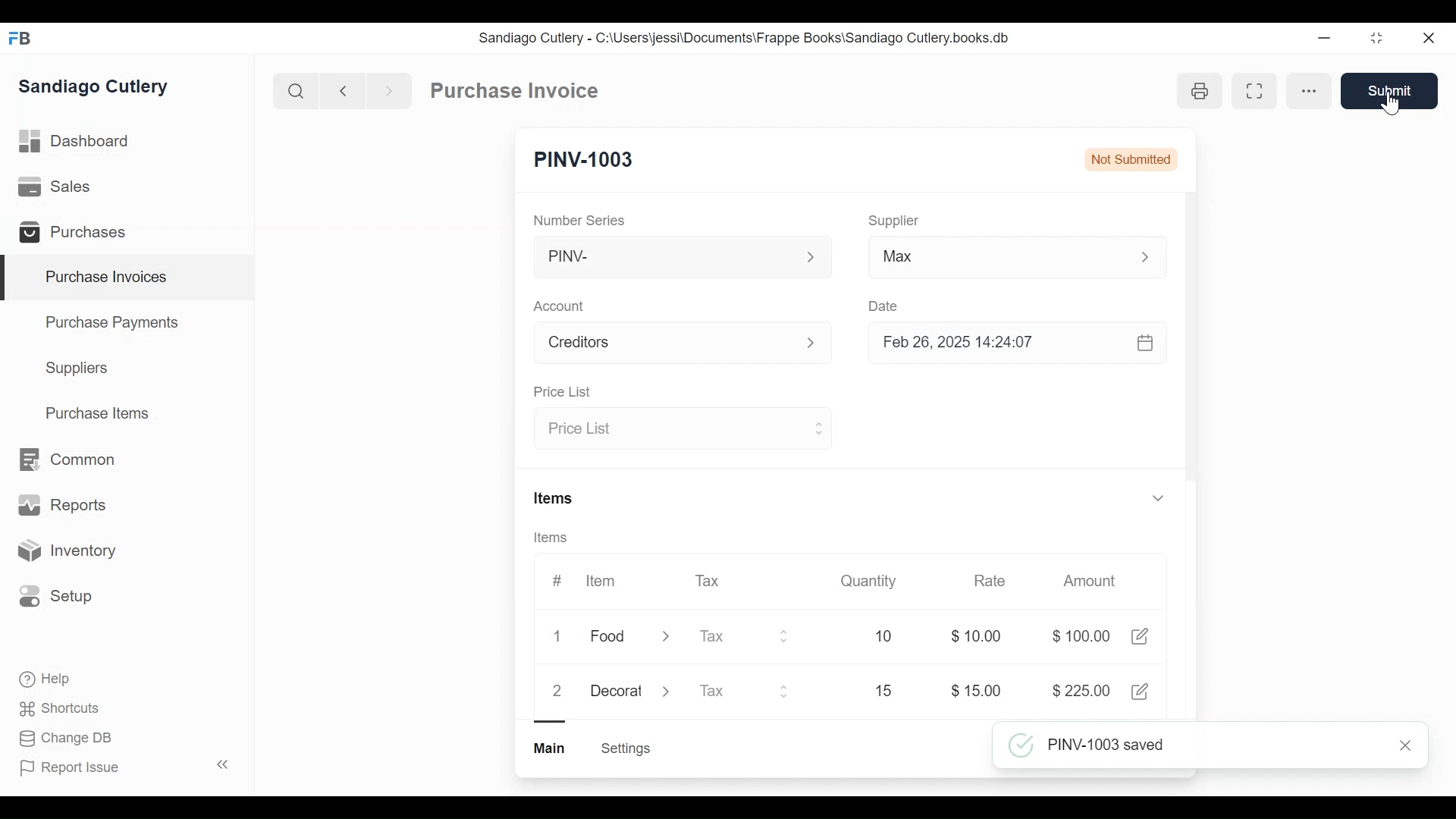 The width and height of the screenshot is (1456, 819). What do you see at coordinates (1191, 358) in the screenshot?
I see `Vertical Scroll bar` at bounding box center [1191, 358].